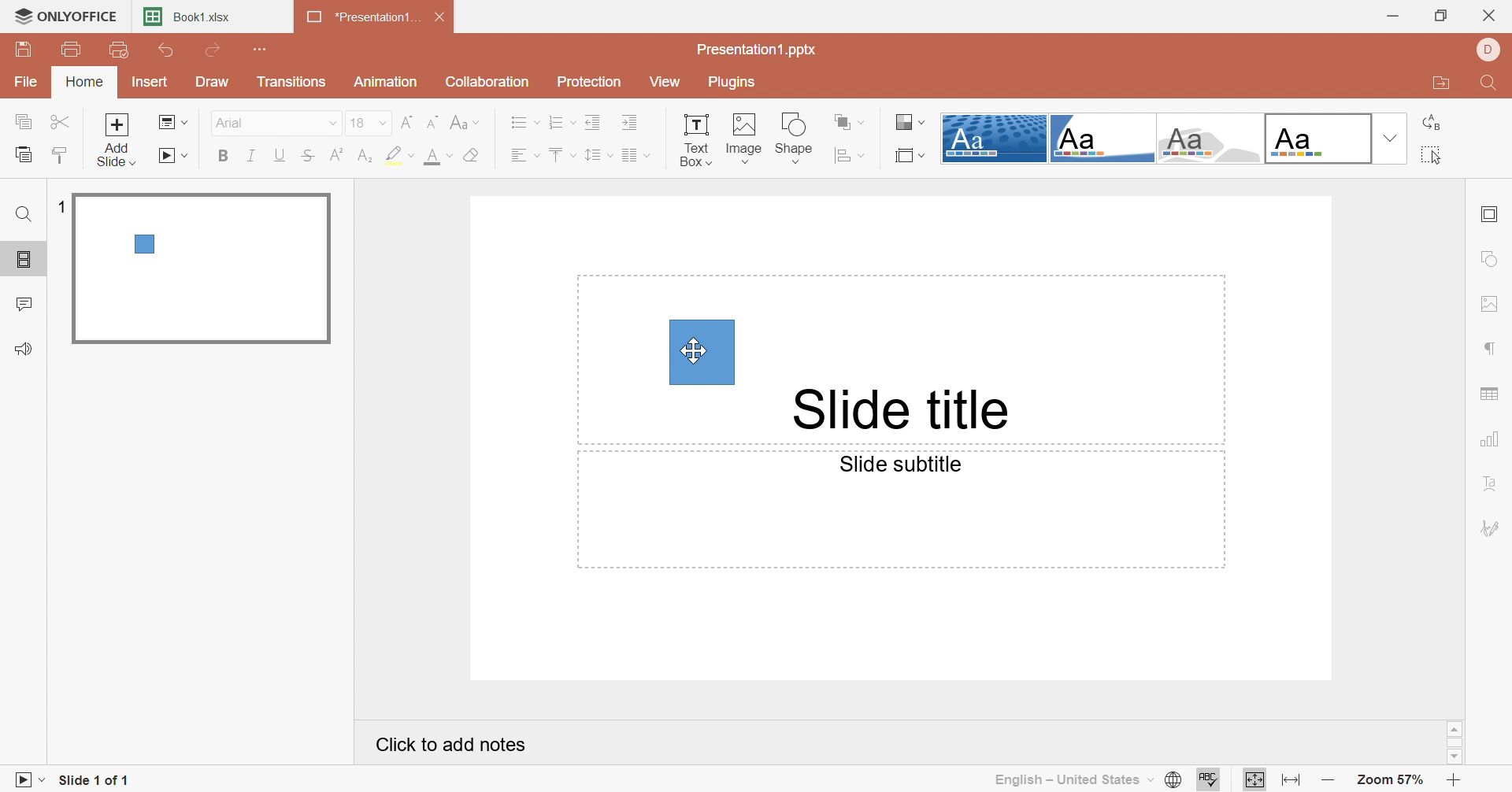 The width and height of the screenshot is (1512, 792). Describe the element at coordinates (1070, 781) in the screenshot. I see `English - United States` at that location.